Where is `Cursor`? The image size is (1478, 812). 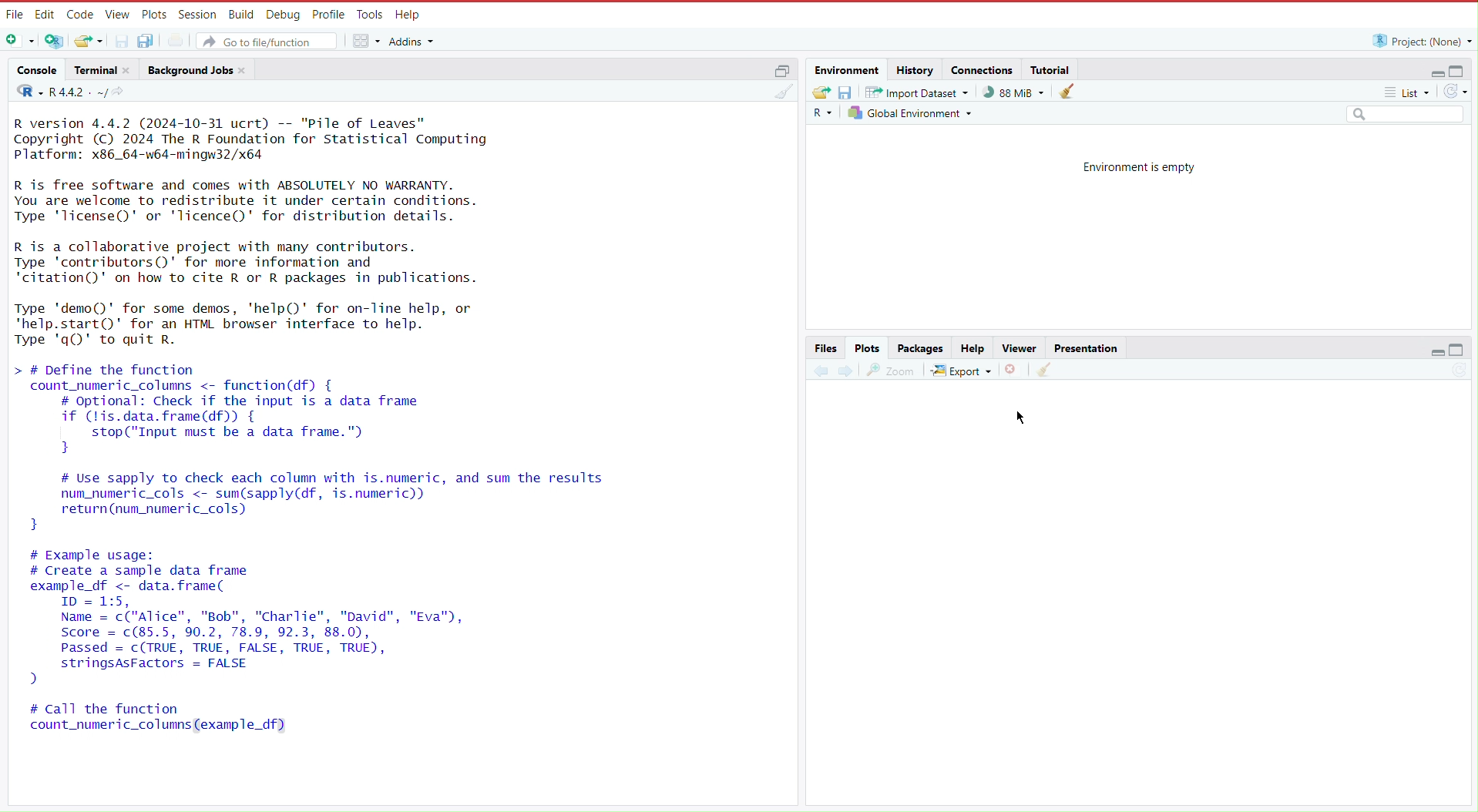 Cursor is located at coordinates (1026, 415).